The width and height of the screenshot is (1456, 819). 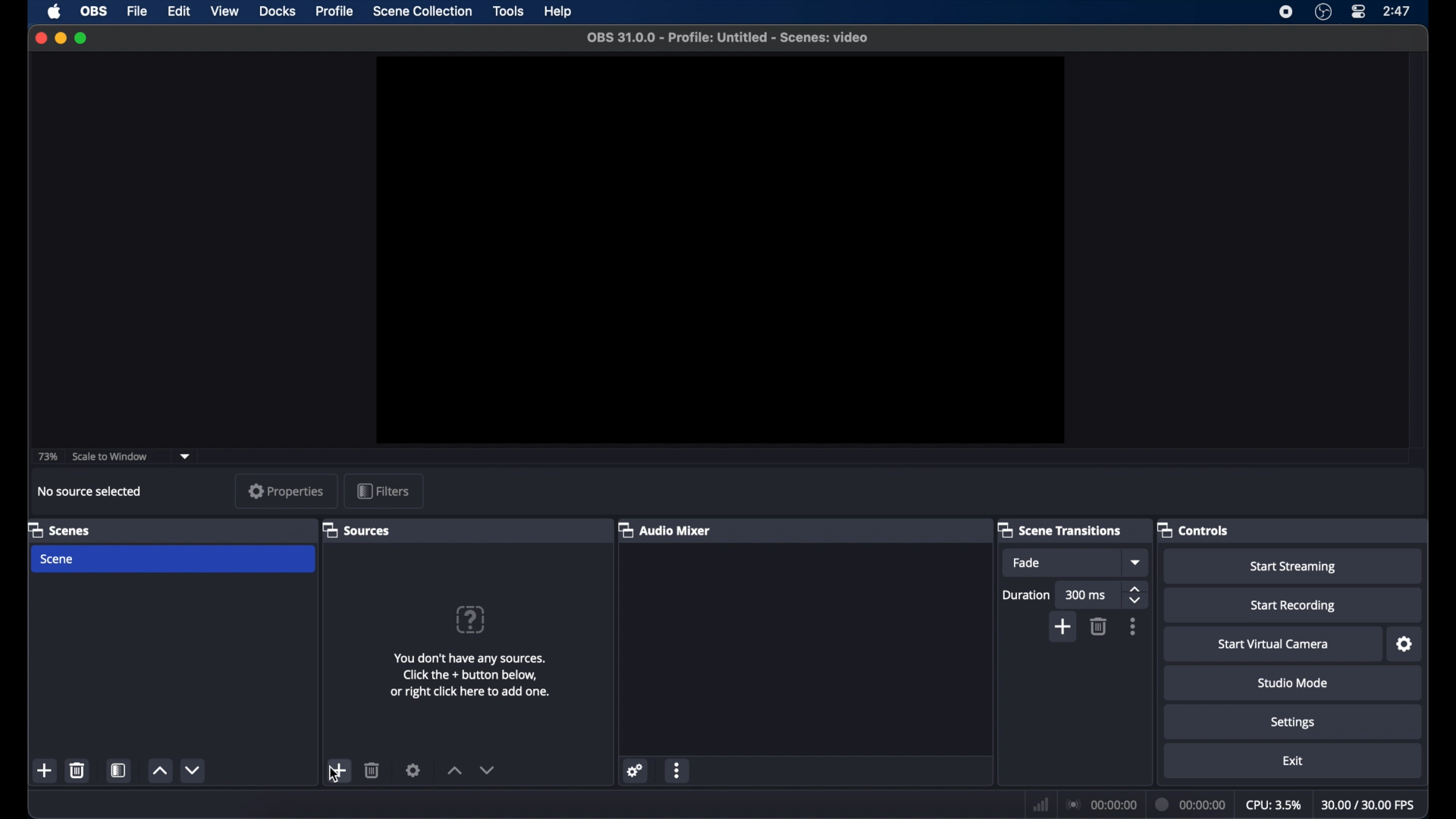 What do you see at coordinates (55, 11) in the screenshot?
I see `apple icon` at bounding box center [55, 11].